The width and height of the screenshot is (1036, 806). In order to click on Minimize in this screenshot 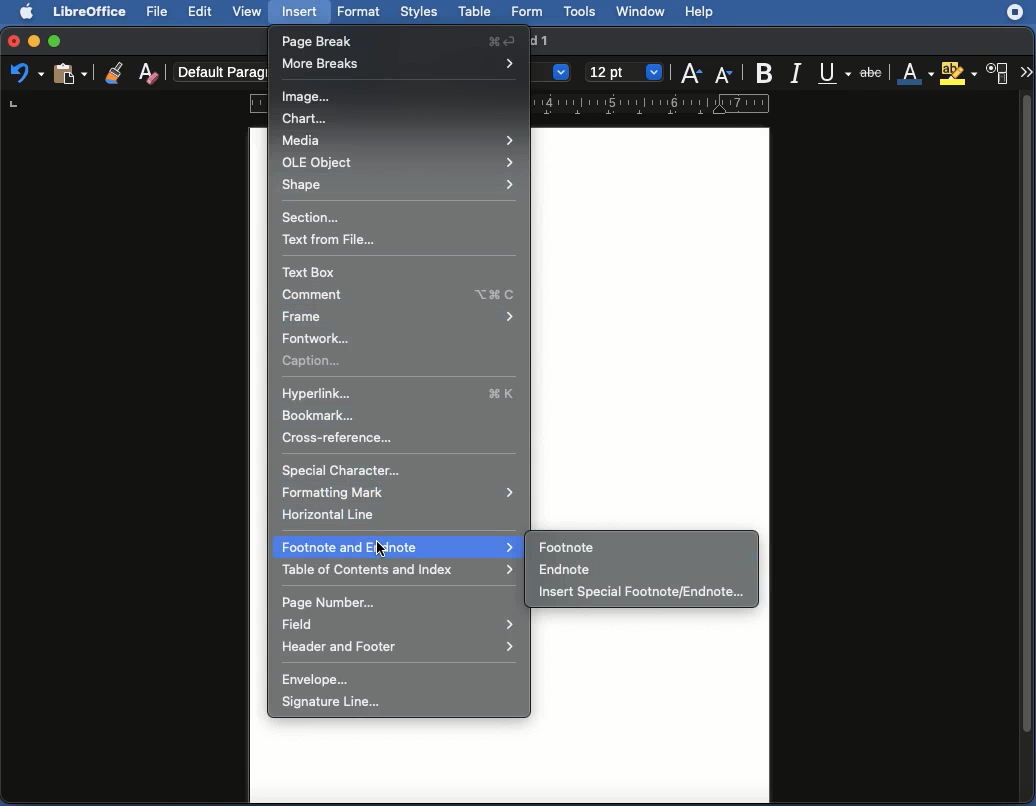, I will do `click(32, 40)`.